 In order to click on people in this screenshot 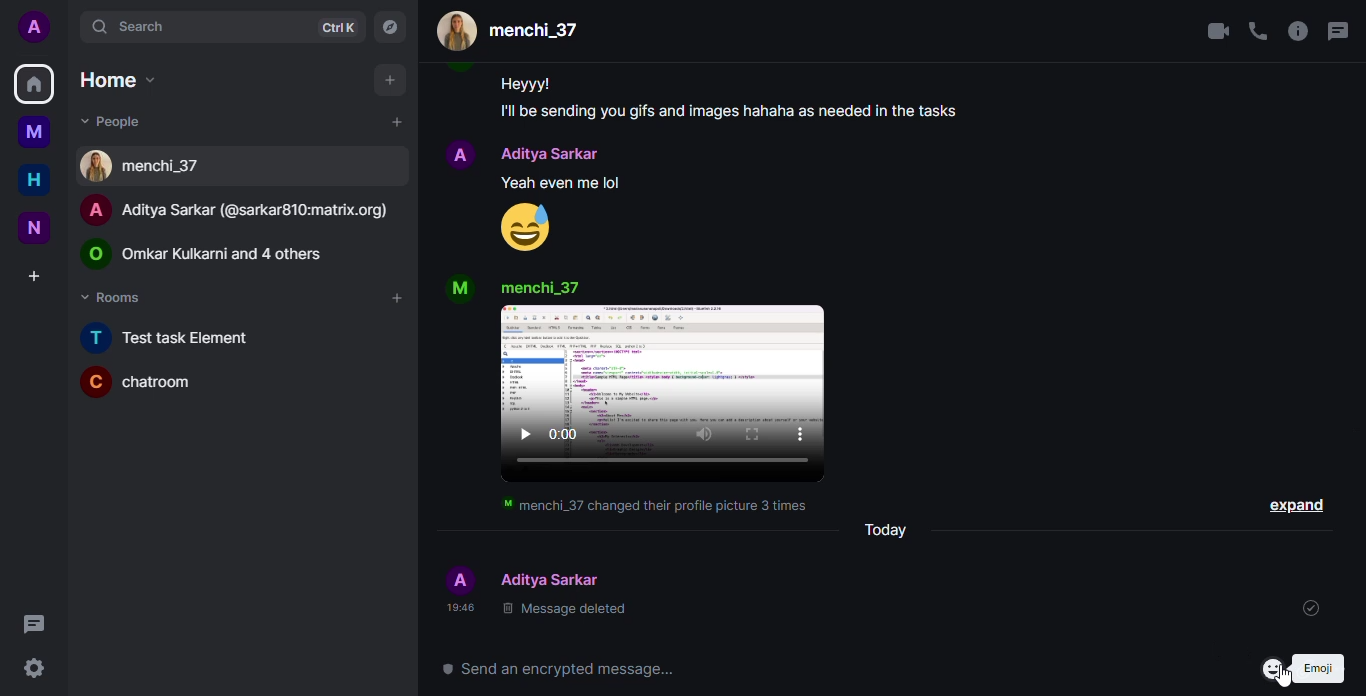, I will do `click(215, 251)`.